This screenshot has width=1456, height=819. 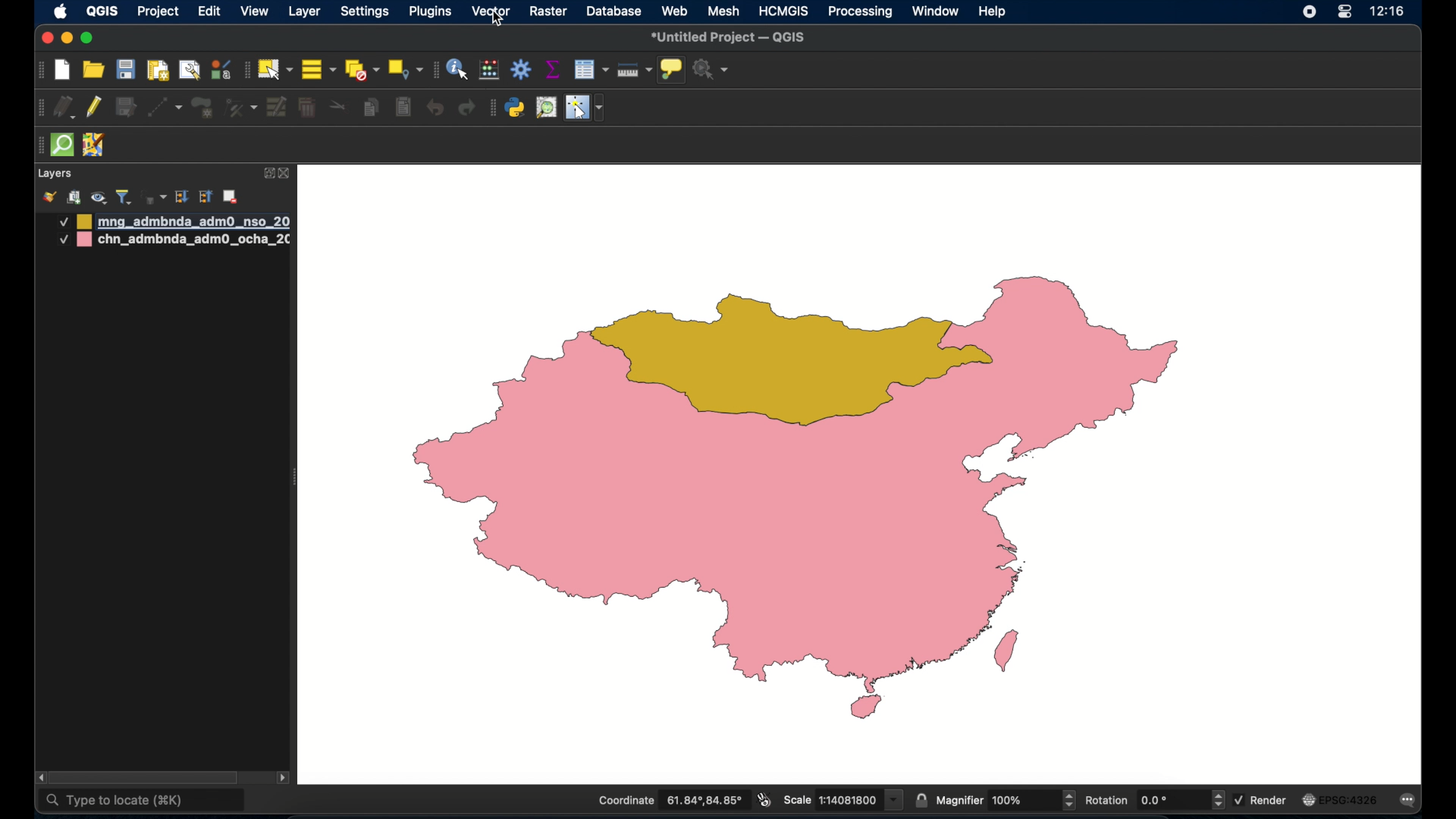 I want to click on style manager, so click(x=220, y=69).